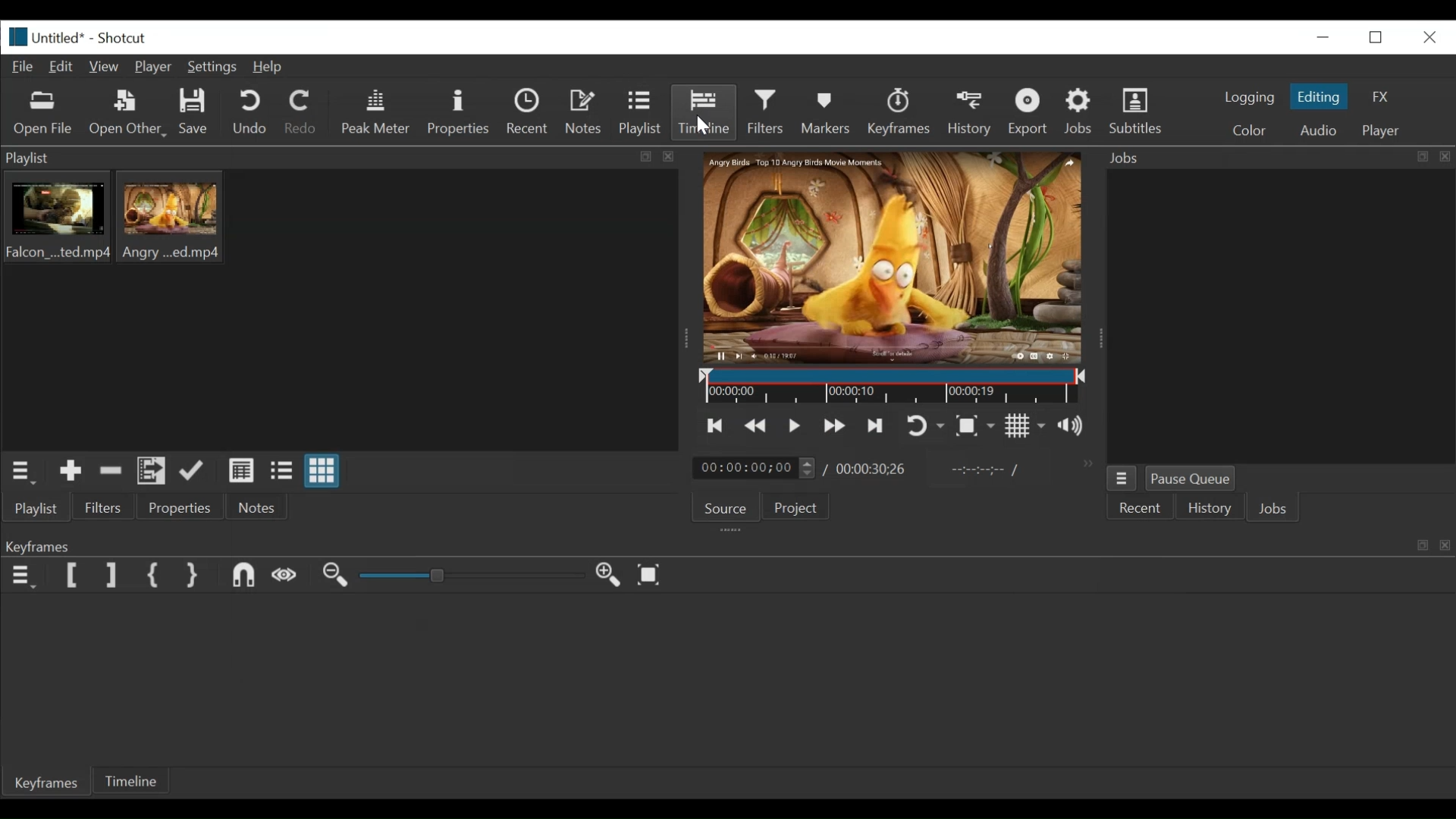 This screenshot has height=819, width=1456. Describe the element at coordinates (609, 578) in the screenshot. I see `zoom in` at that location.